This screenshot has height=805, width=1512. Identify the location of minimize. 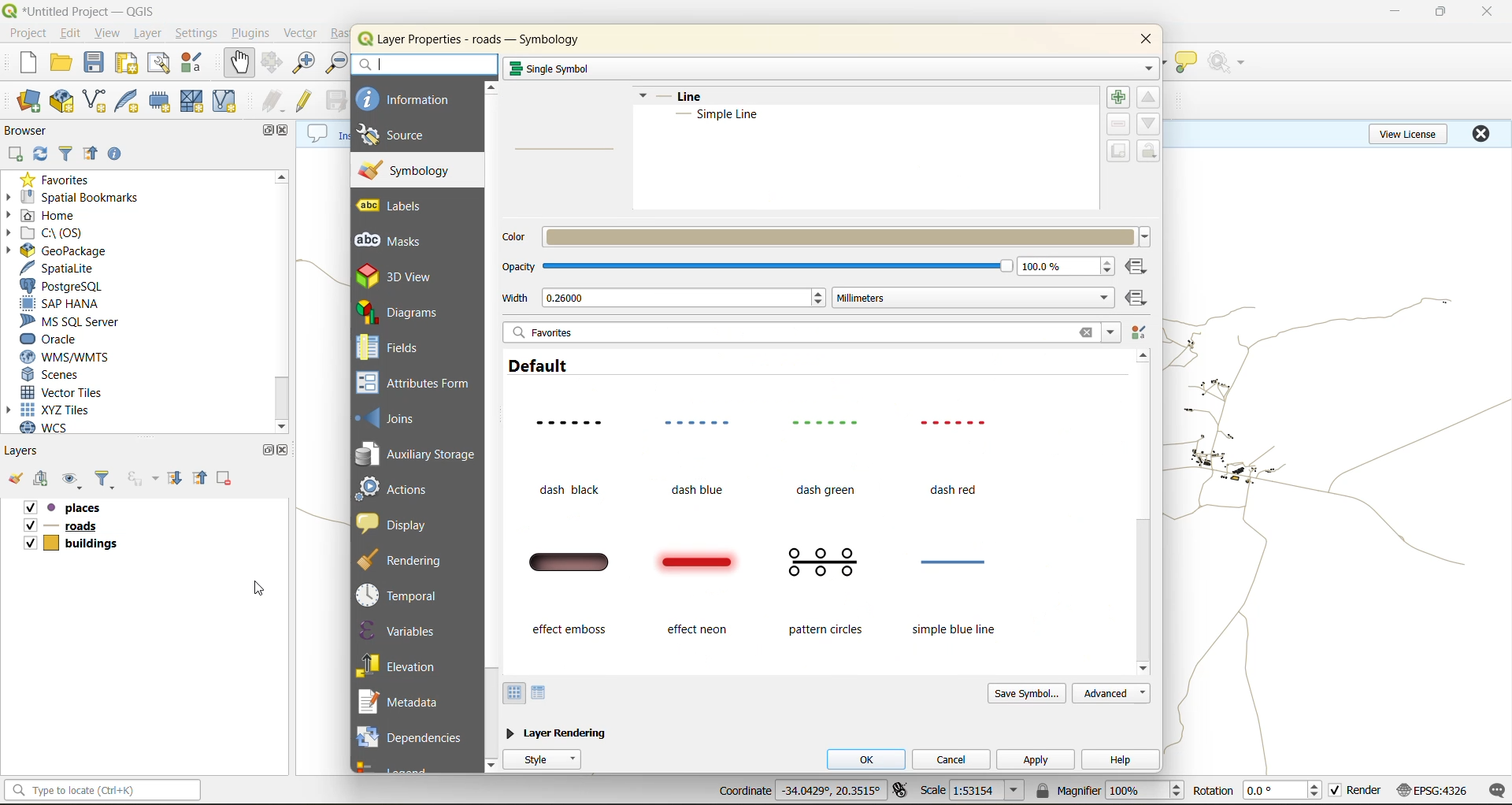
(1387, 13).